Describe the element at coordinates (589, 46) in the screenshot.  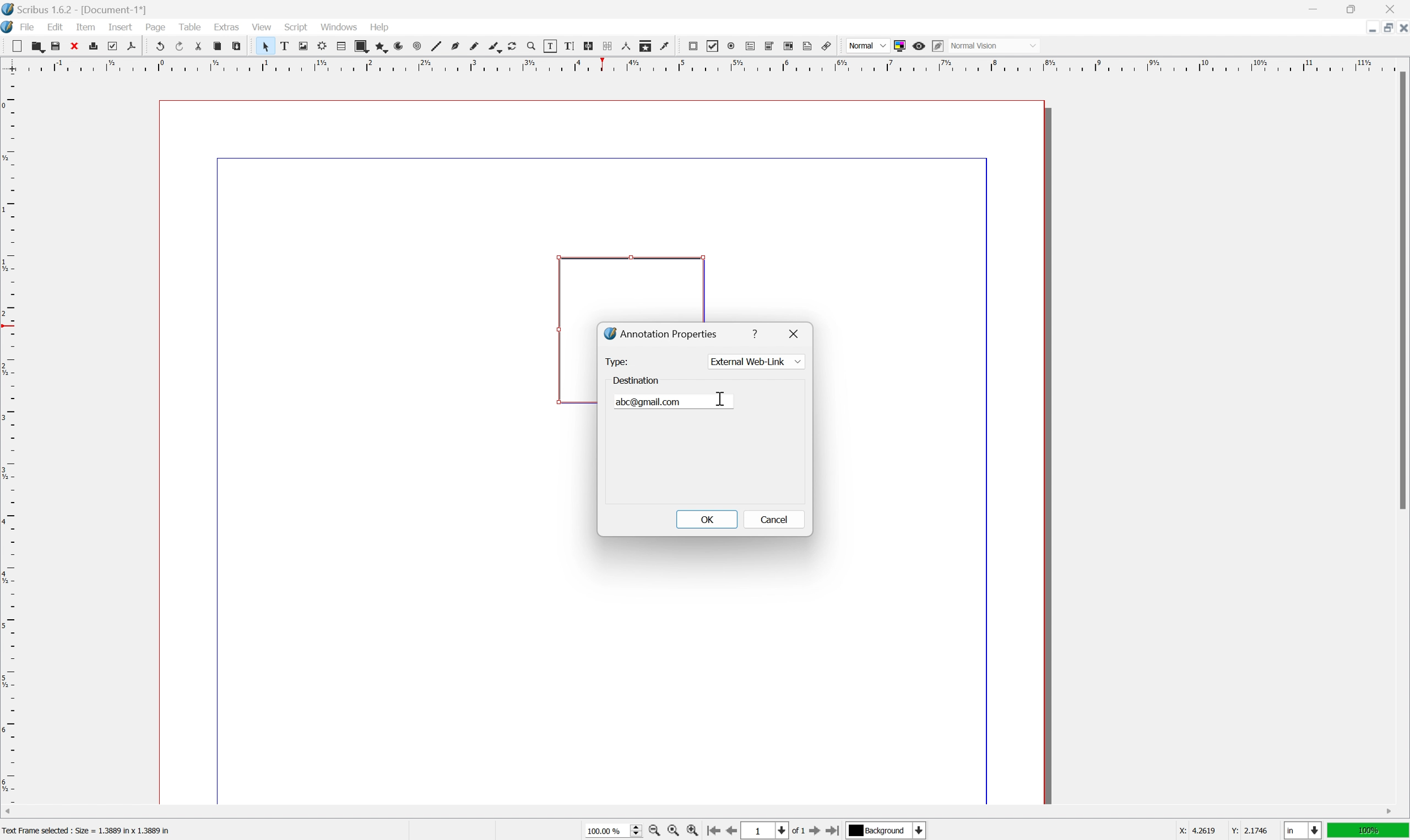
I see `link text frames` at that location.